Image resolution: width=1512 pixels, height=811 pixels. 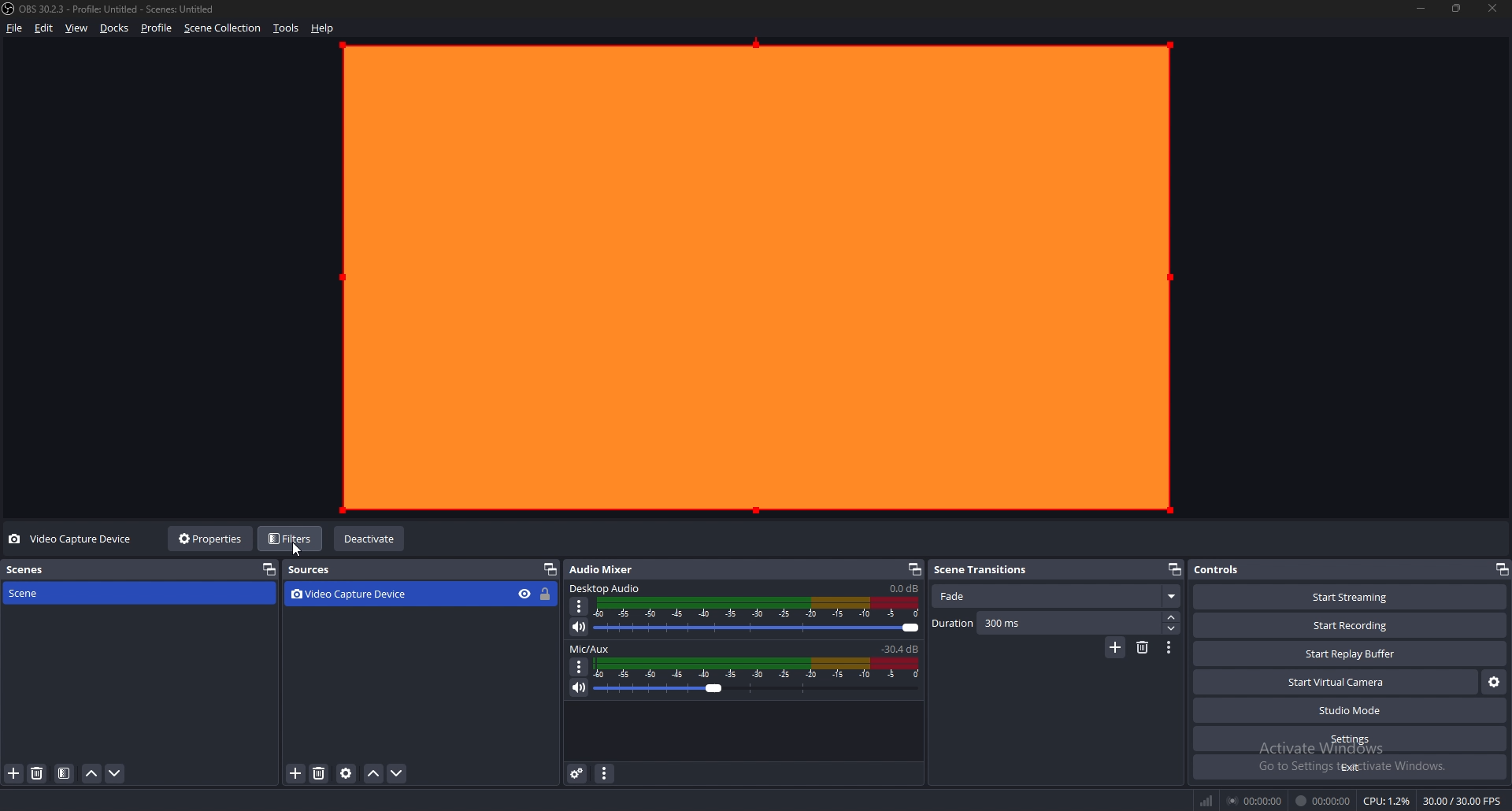 I want to click on resize, so click(x=1457, y=9).